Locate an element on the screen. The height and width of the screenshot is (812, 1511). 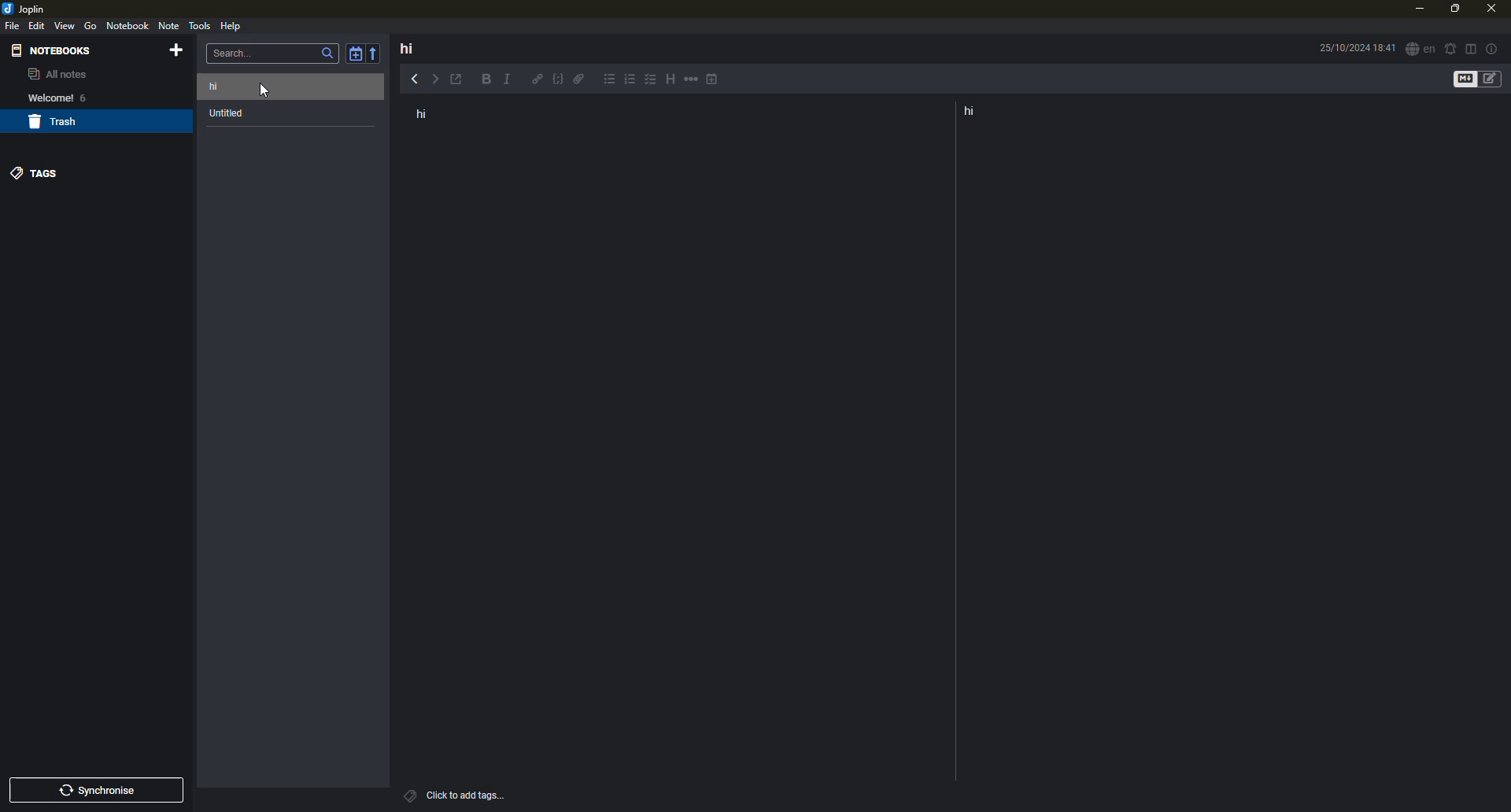
minimize is located at coordinates (1417, 9).